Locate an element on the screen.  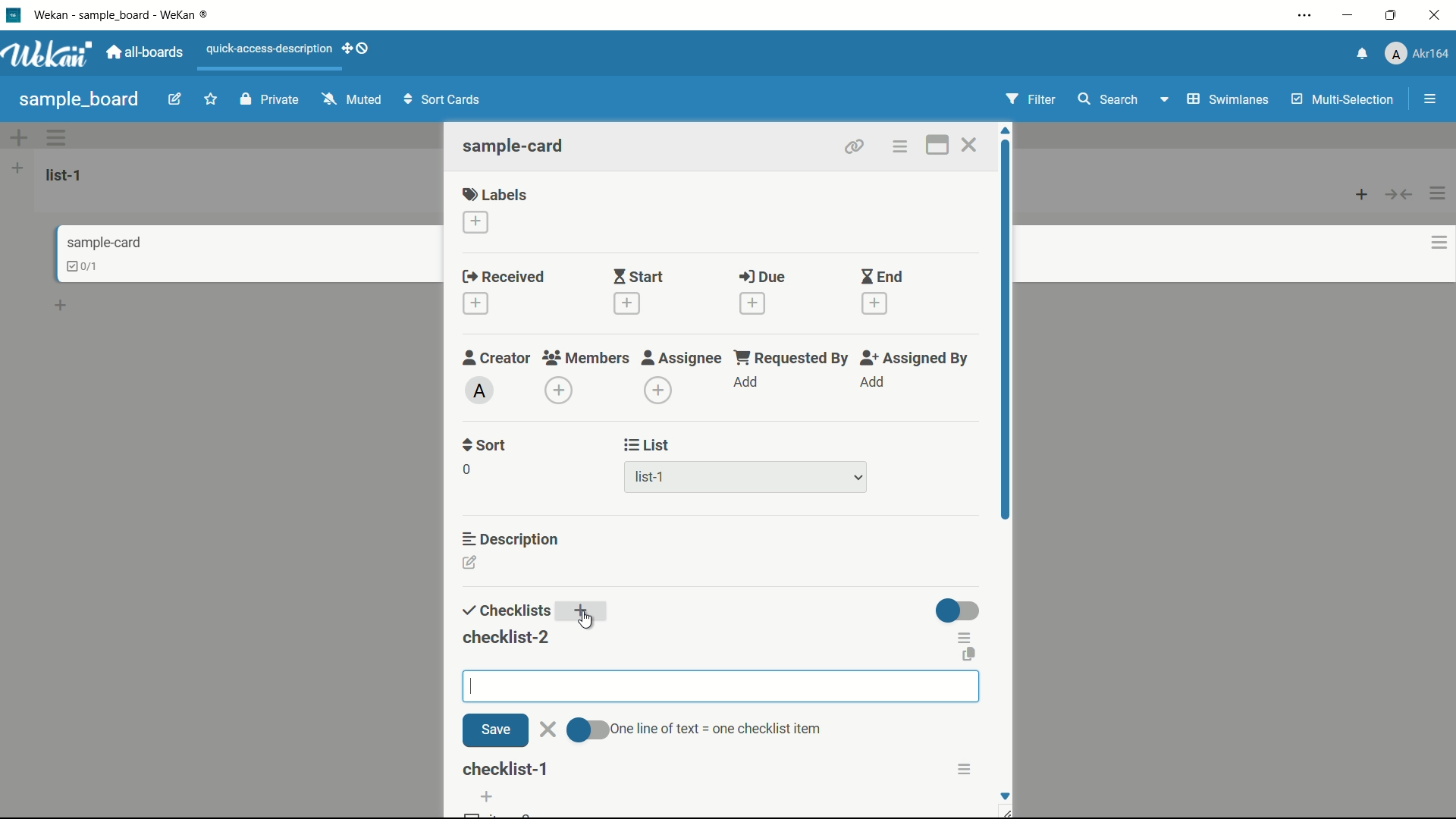
toggle button is located at coordinates (589, 731).